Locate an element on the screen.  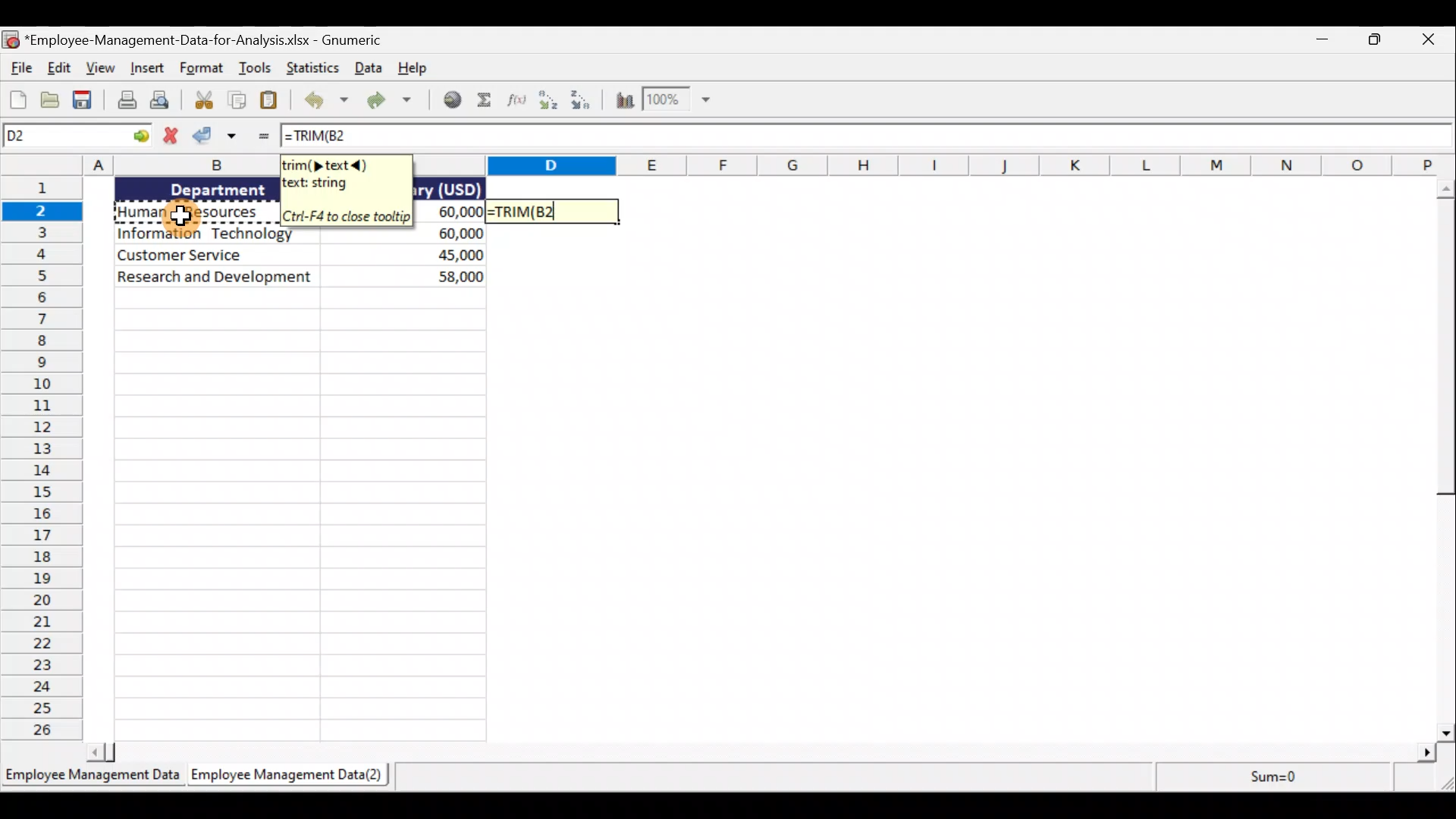
Data is located at coordinates (367, 68).